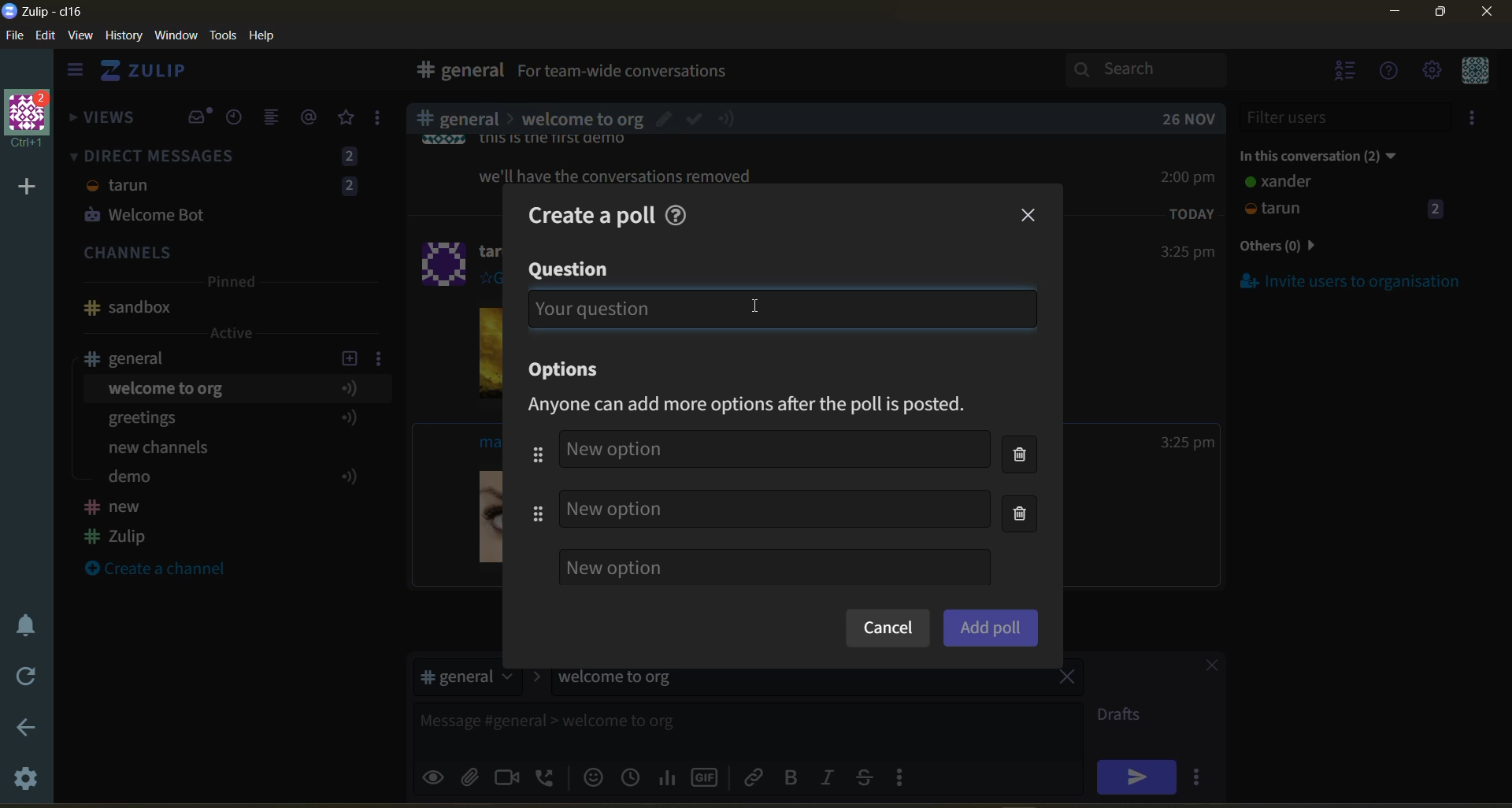 The width and height of the screenshot is (1512, 808). I want to click on Channel name, so click(128, 308).